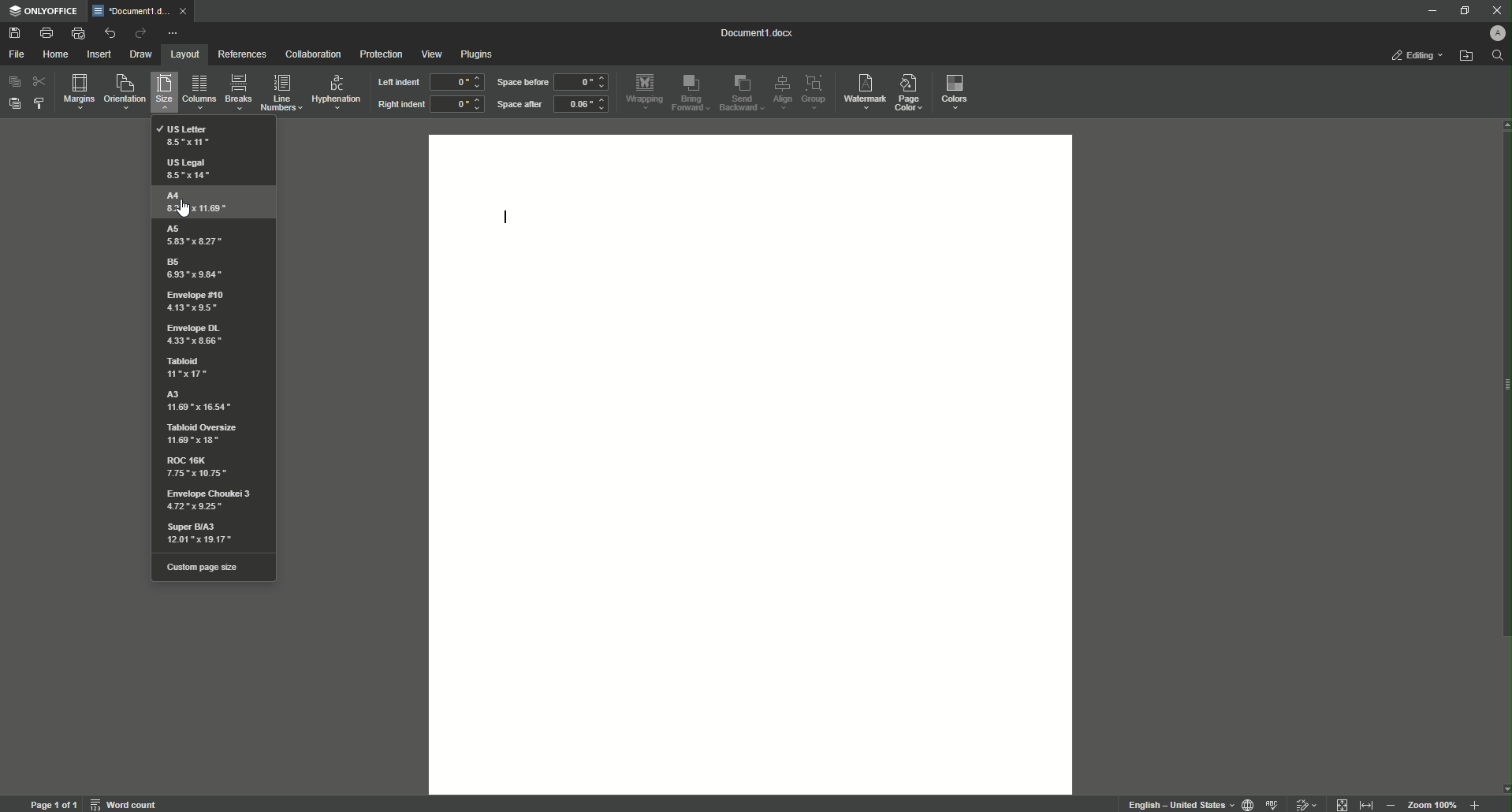 Image resolution: width=1512 pixels, height=812 pixels. I want to click on Track changes, so click(1307, 800).